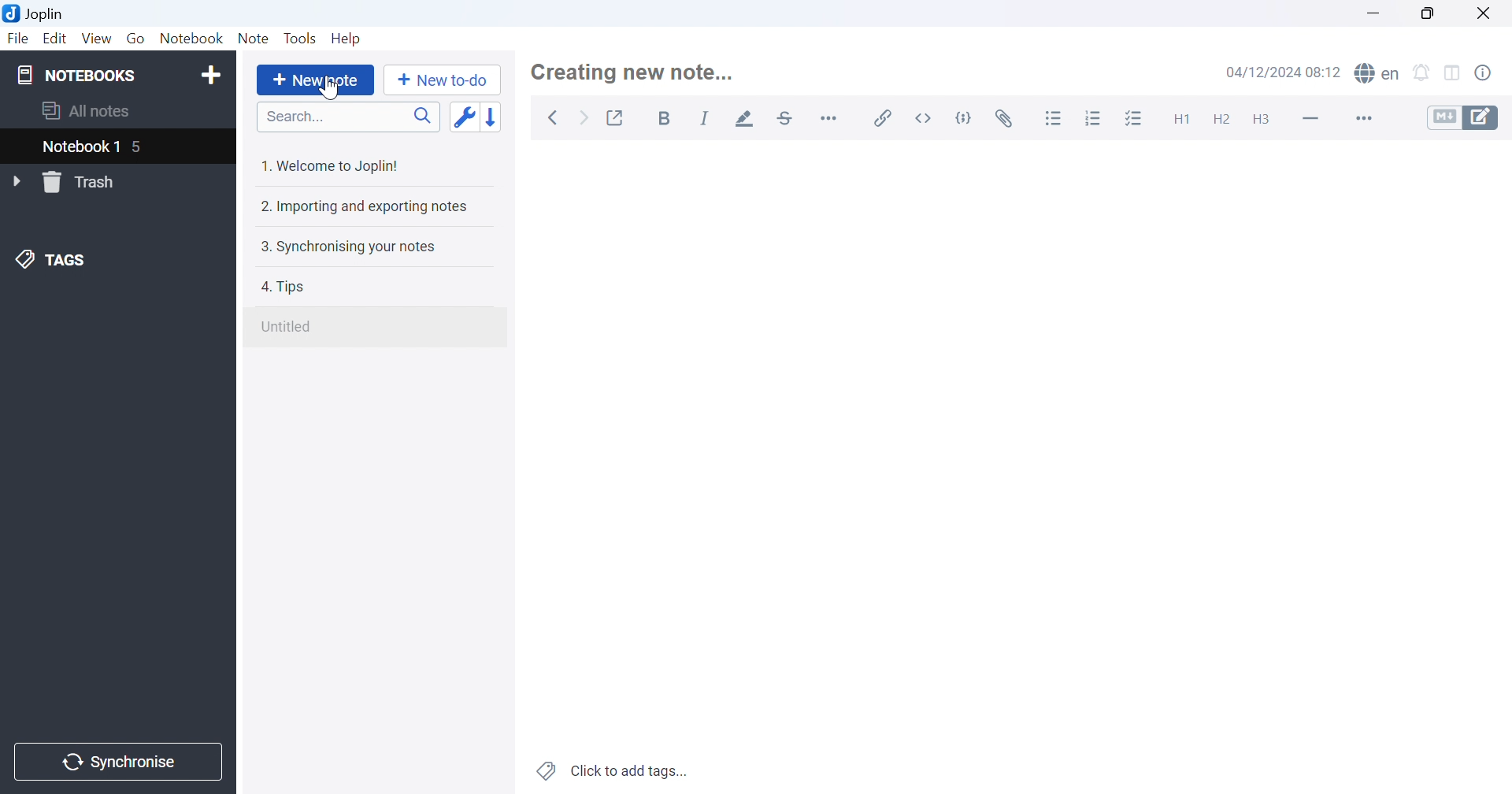  I want to click on More, so click(1357, 118).